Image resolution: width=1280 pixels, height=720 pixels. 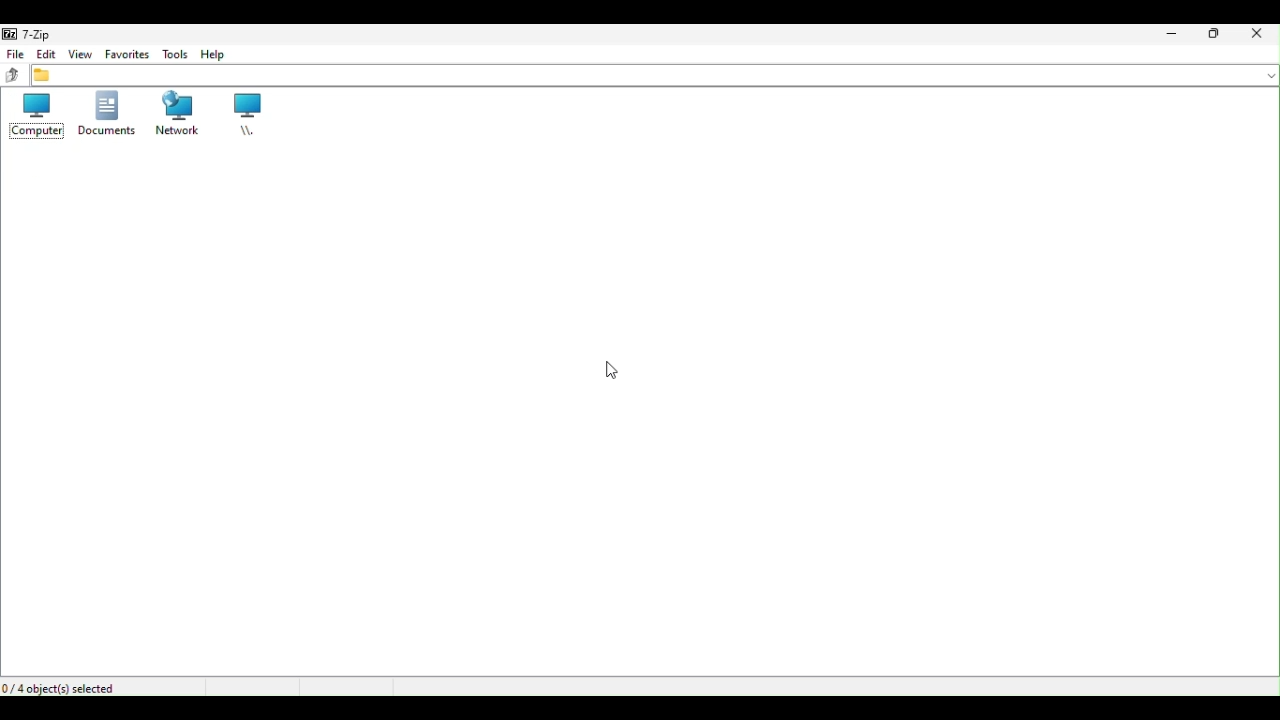 I want to click on up, so click(x=13, y=76).